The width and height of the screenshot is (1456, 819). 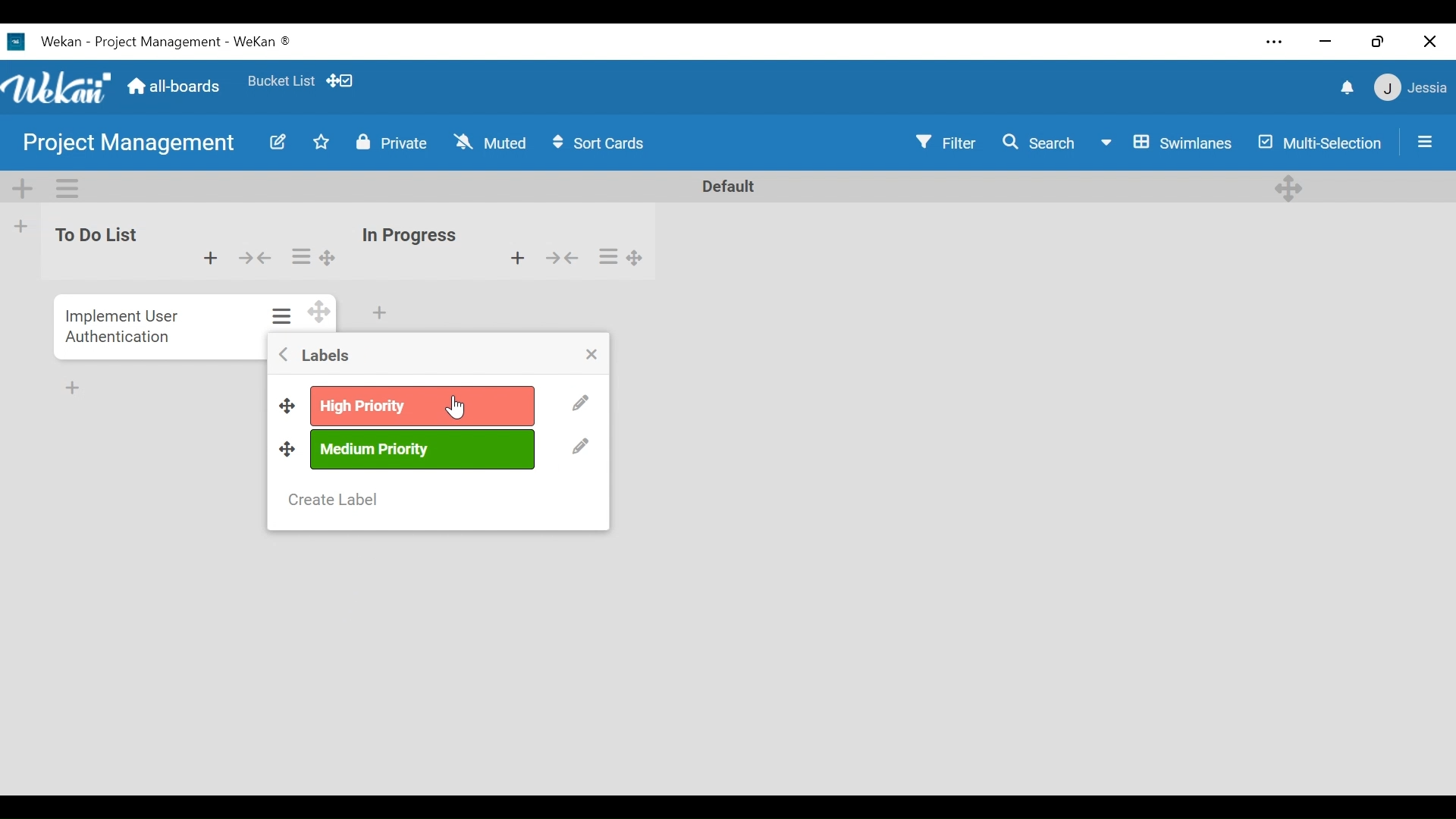 I want to click on Show/Hide Desktop drag handles, so click(x=339, y=81).